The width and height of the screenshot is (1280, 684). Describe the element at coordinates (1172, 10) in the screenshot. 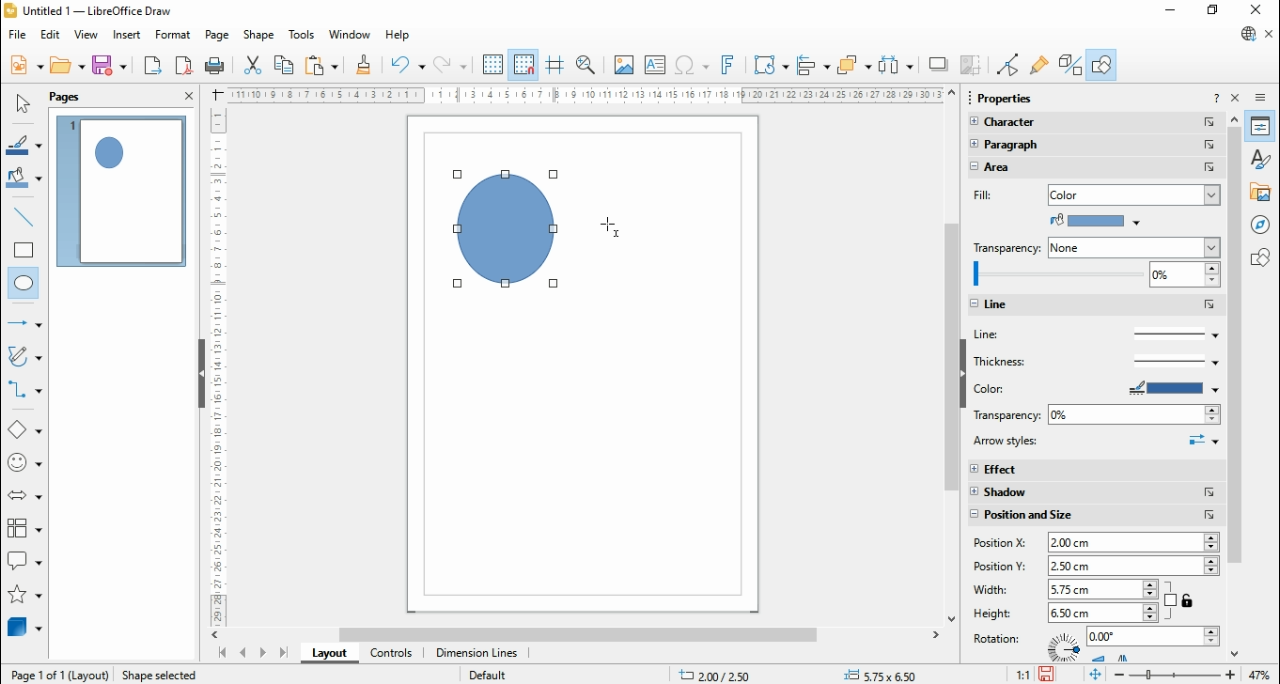

I see `minimize` at that location.